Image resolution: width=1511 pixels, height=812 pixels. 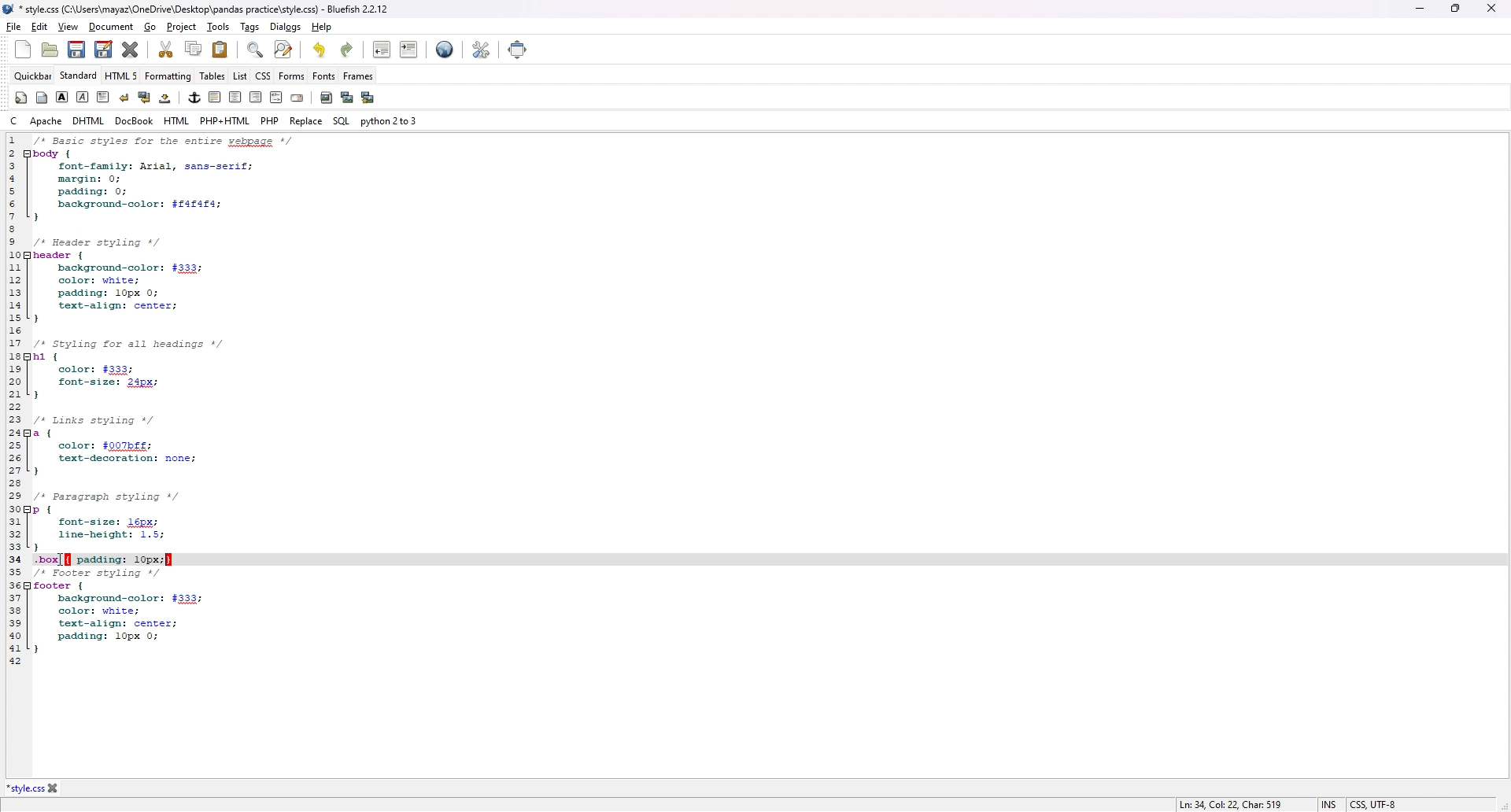 What do you see at coordinates (113, 27) in the screenshot?
I see `document` at bounding box center [113, 27].